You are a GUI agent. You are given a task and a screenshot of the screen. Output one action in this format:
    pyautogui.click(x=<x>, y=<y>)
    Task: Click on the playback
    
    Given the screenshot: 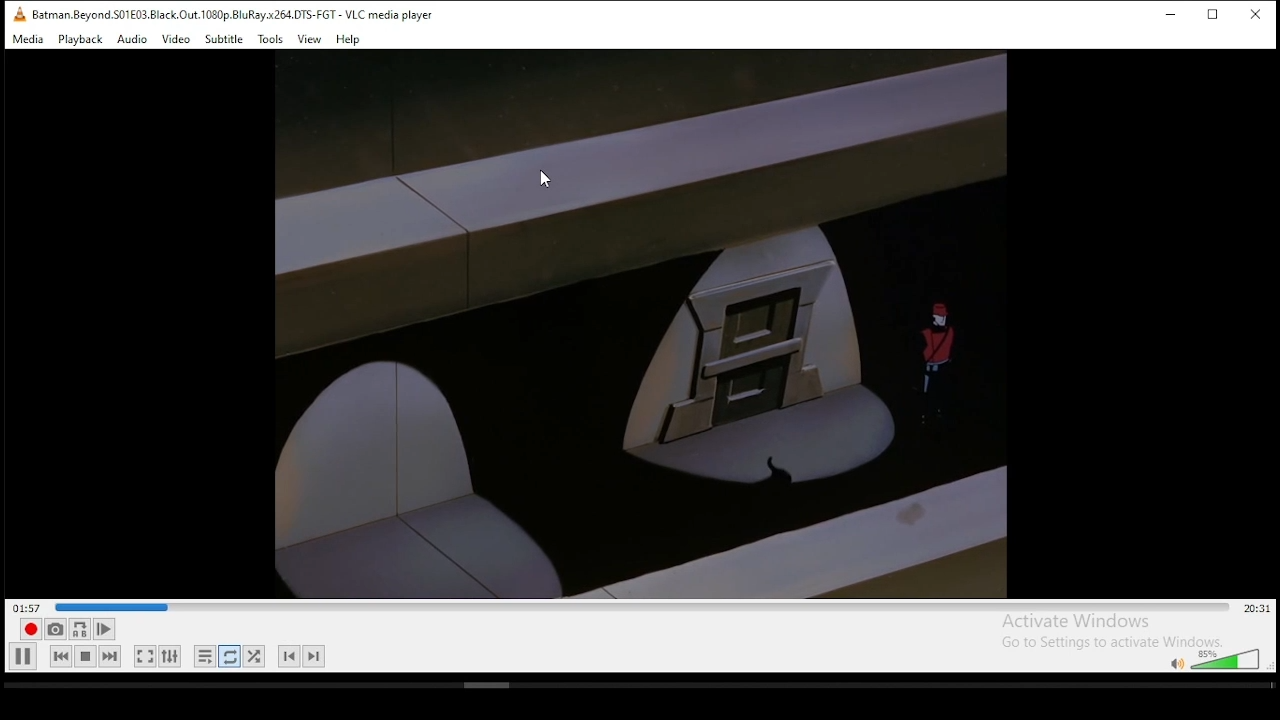 What is the action you would take?
    pyautogui.click(x=81, y=39)
    